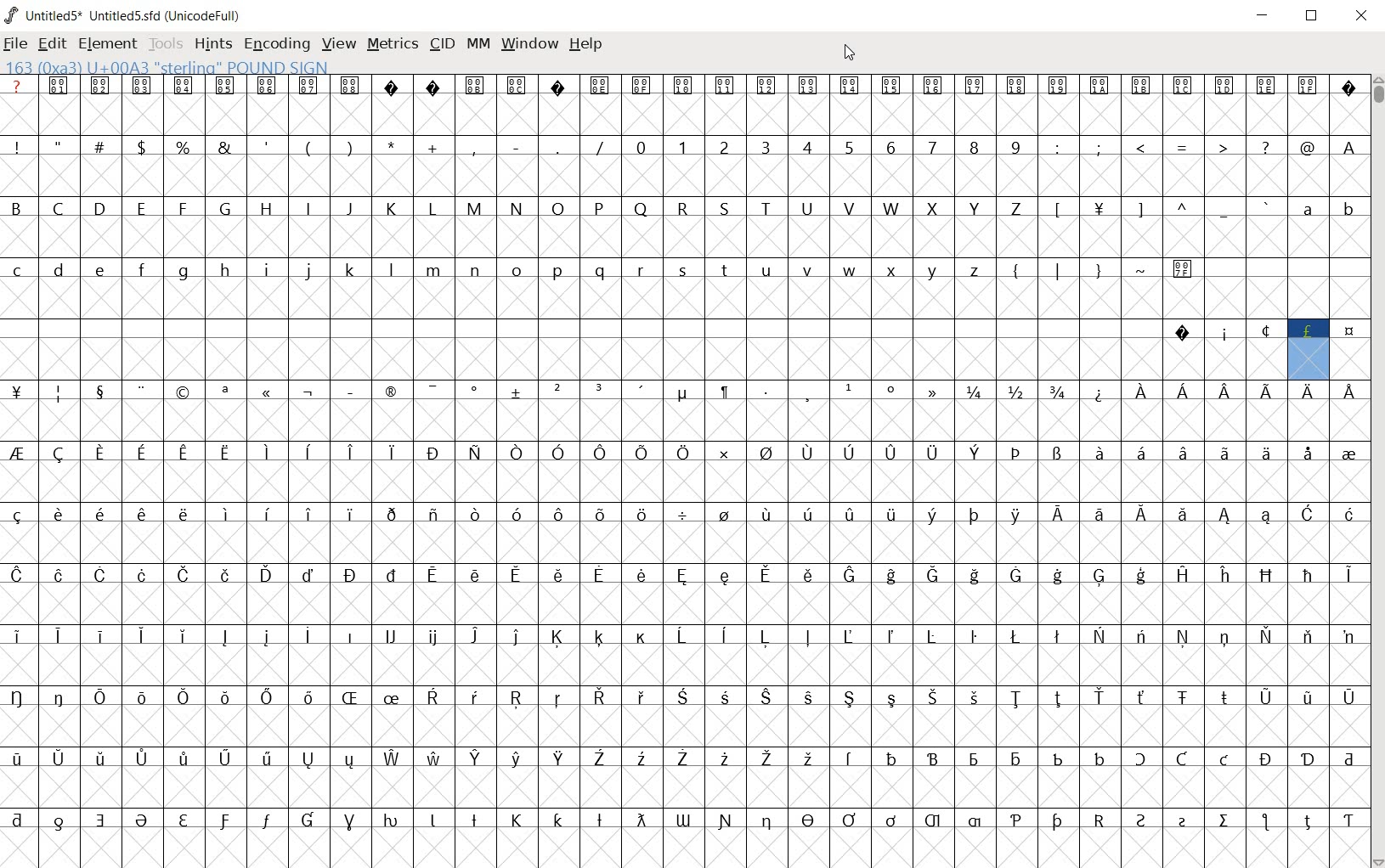  Describe the element at coordinates (1264, 15) in the screenshot. I see `MINIMIZE` at that location.